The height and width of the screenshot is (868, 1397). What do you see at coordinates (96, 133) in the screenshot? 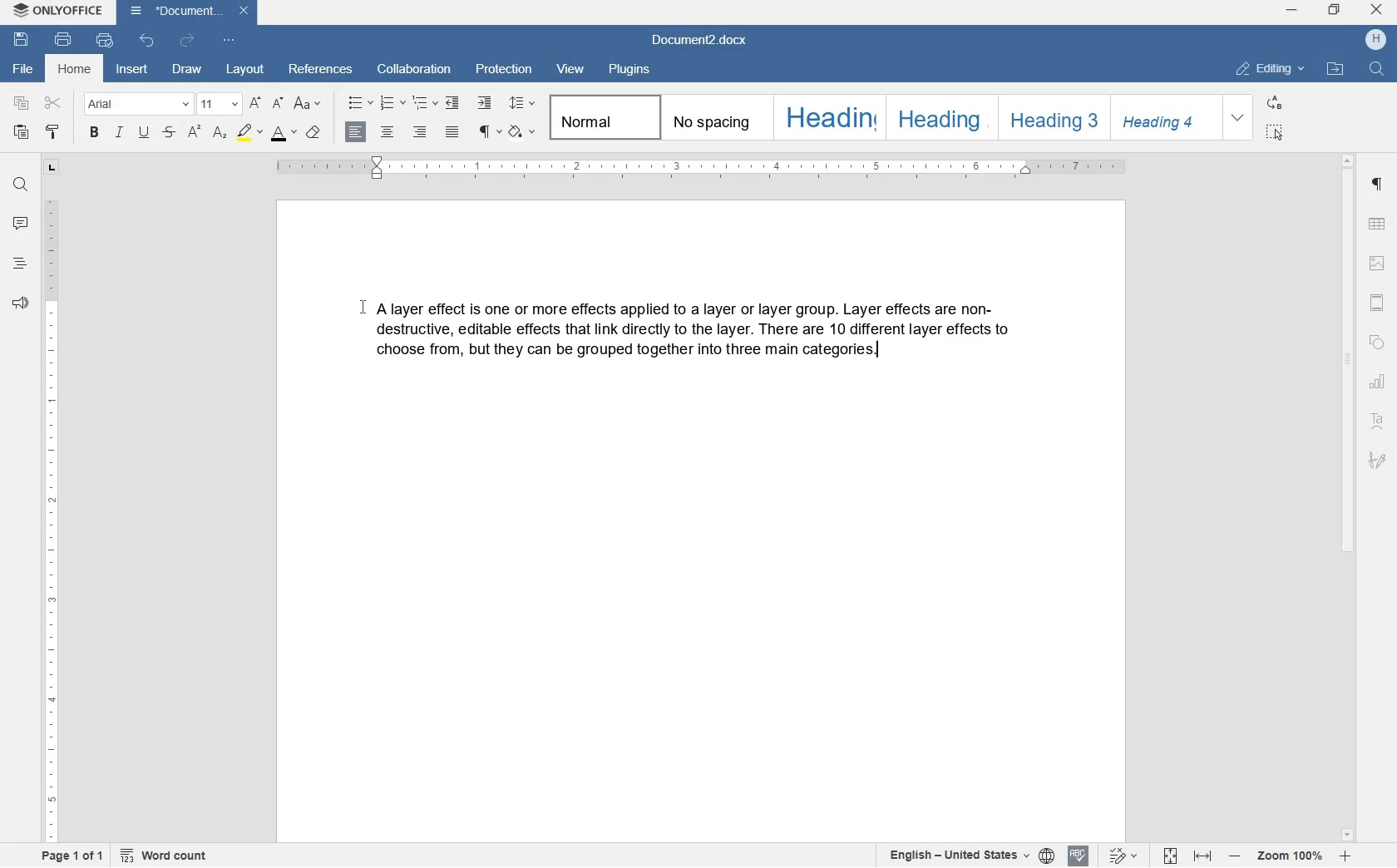
I see `bold` at bounding box center [96, 133].